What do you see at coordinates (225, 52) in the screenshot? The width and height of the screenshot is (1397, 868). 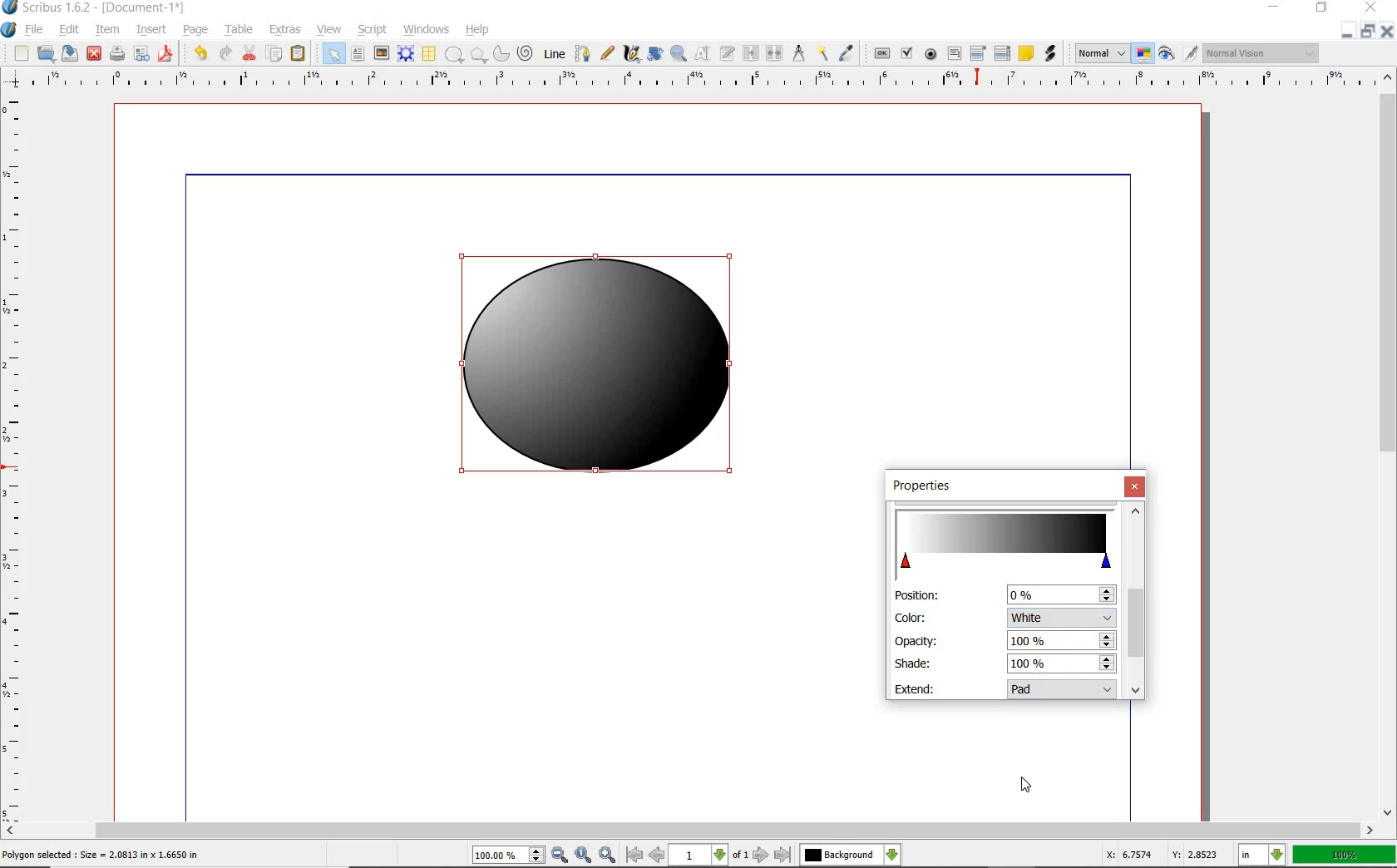 I see `REDO` at bounding box center [225, 52].